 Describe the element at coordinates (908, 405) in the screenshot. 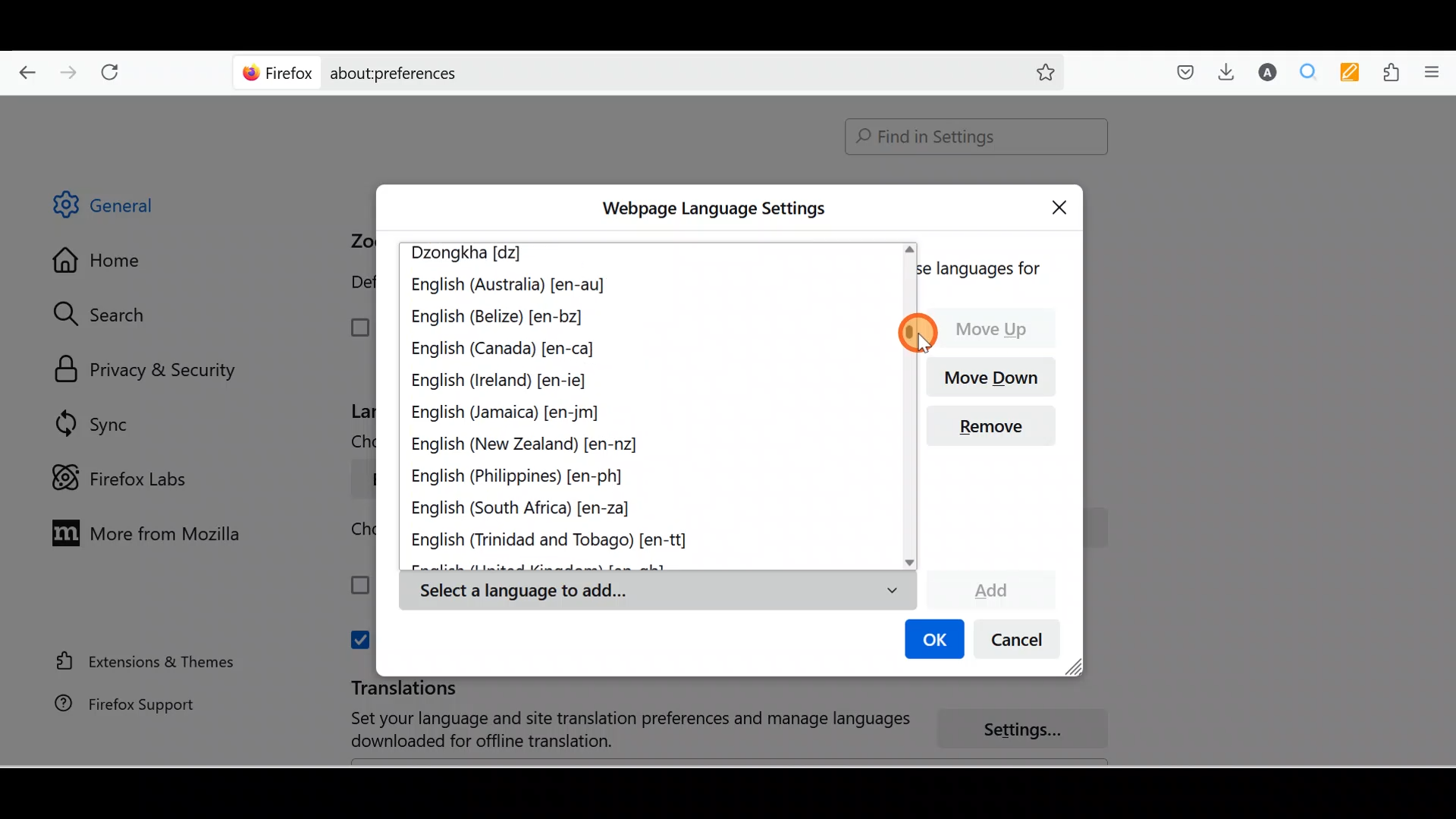

I see `Scroll bar` at that location.